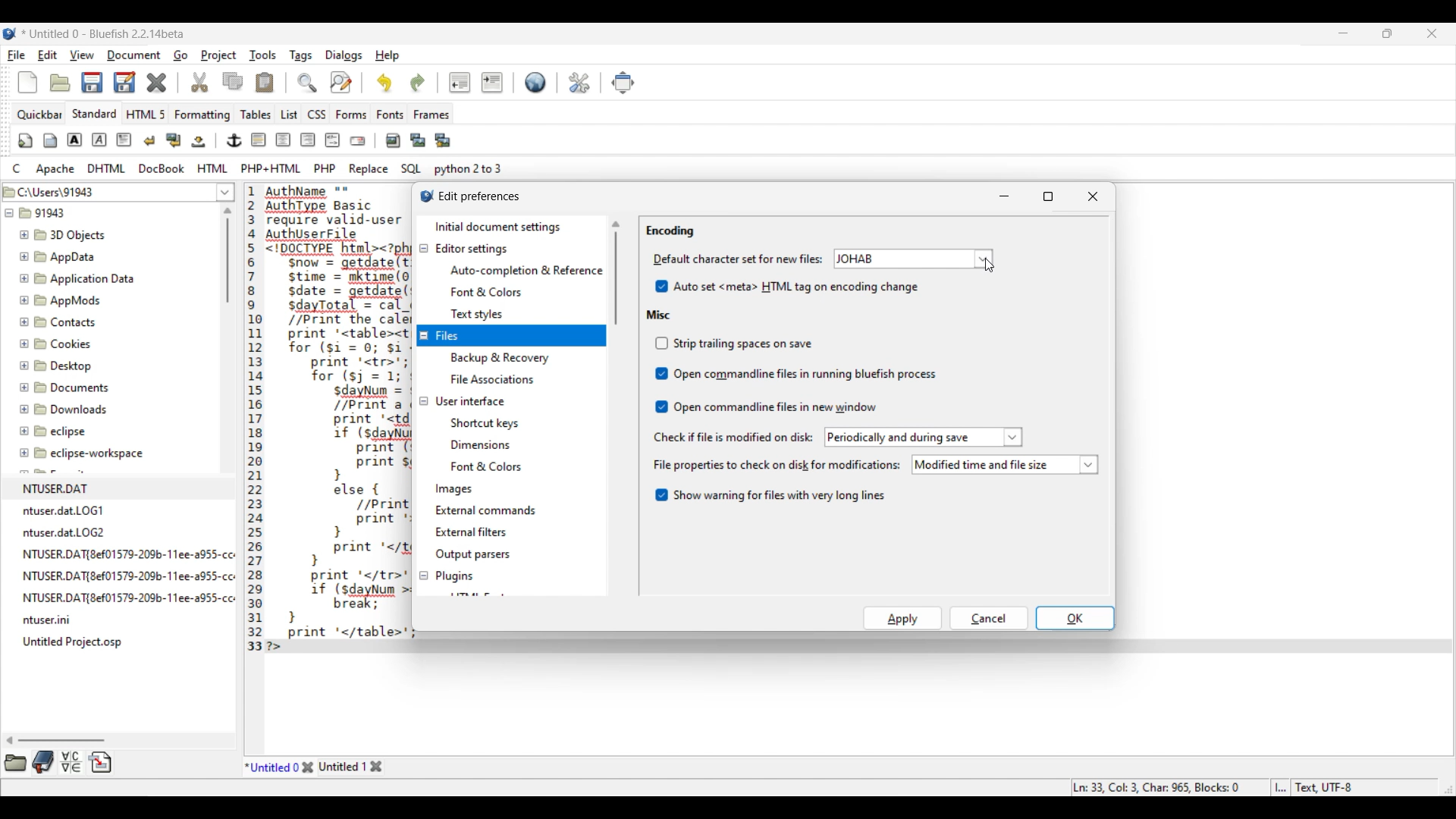 The width and height of the screenshot is (1456, 819). What do you see at coordinates (146, 114) in the screenshot?
I see `HTML 5` at bounding box center [146, 114].